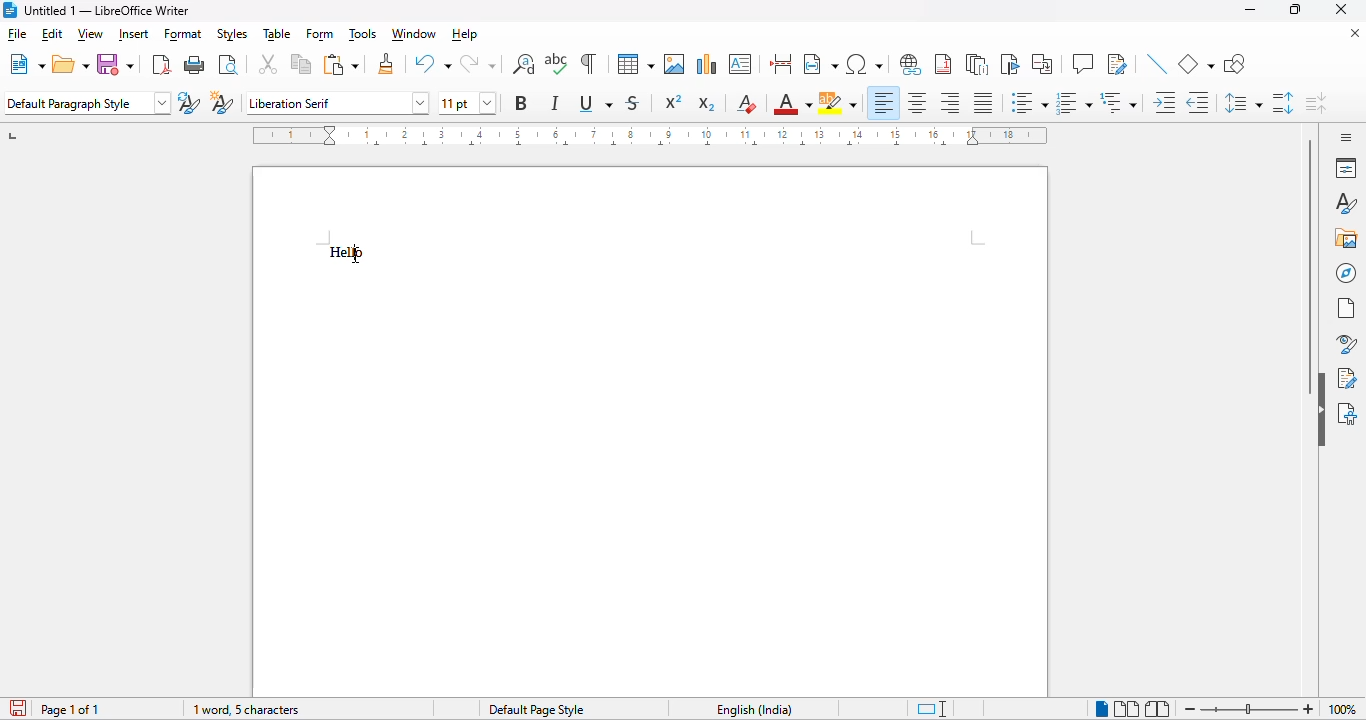 Image resolution: width=1366 pixels, height=720 pixels. I want to click on form, so click(319, 34).